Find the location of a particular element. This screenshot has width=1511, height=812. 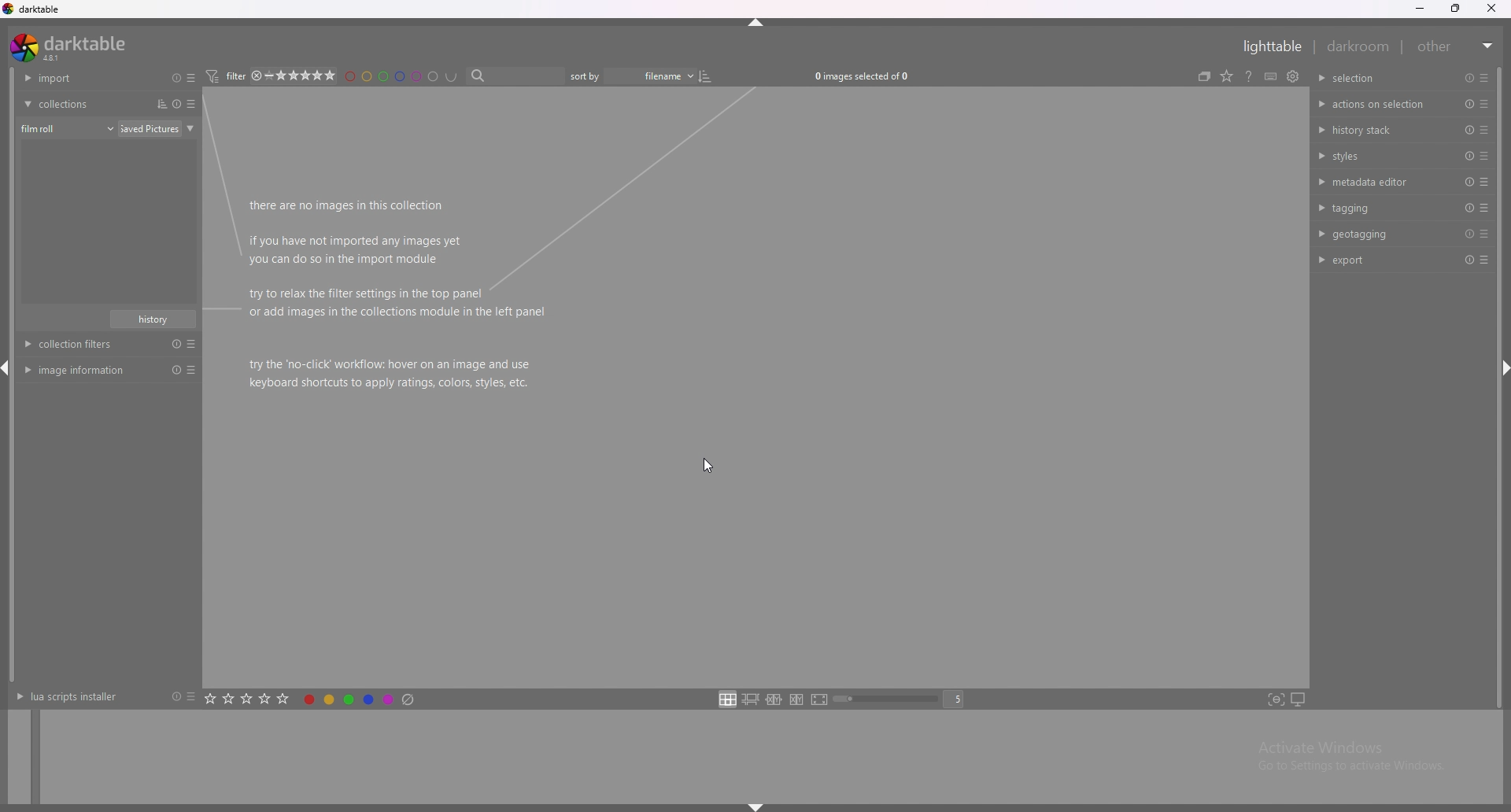

darkroom is located at coordinates (1359, 46).